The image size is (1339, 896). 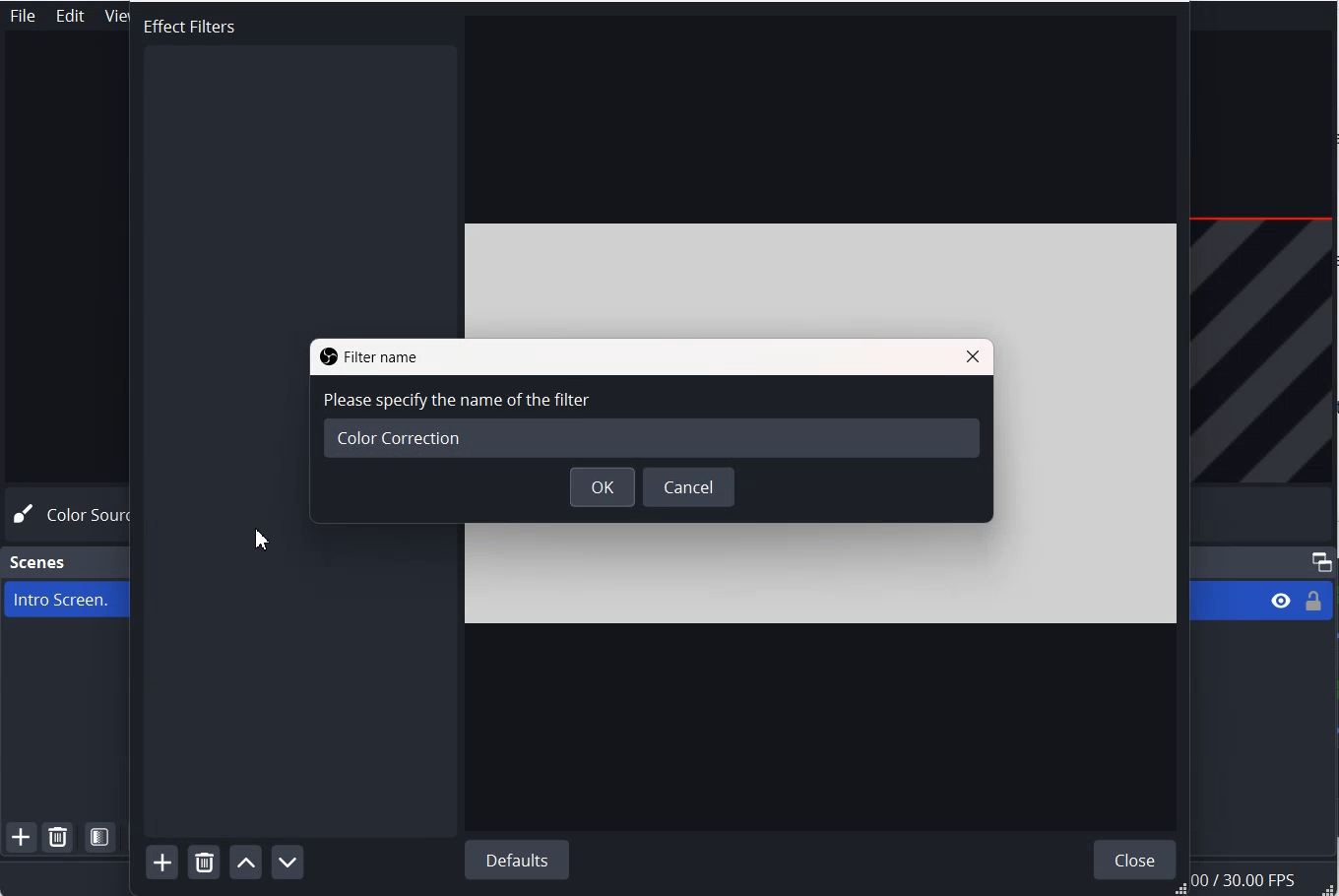 What do you see at coordinates (1096, 423) in the screenshot?
I see `File Preview window` at bounding box center [1096, 423].